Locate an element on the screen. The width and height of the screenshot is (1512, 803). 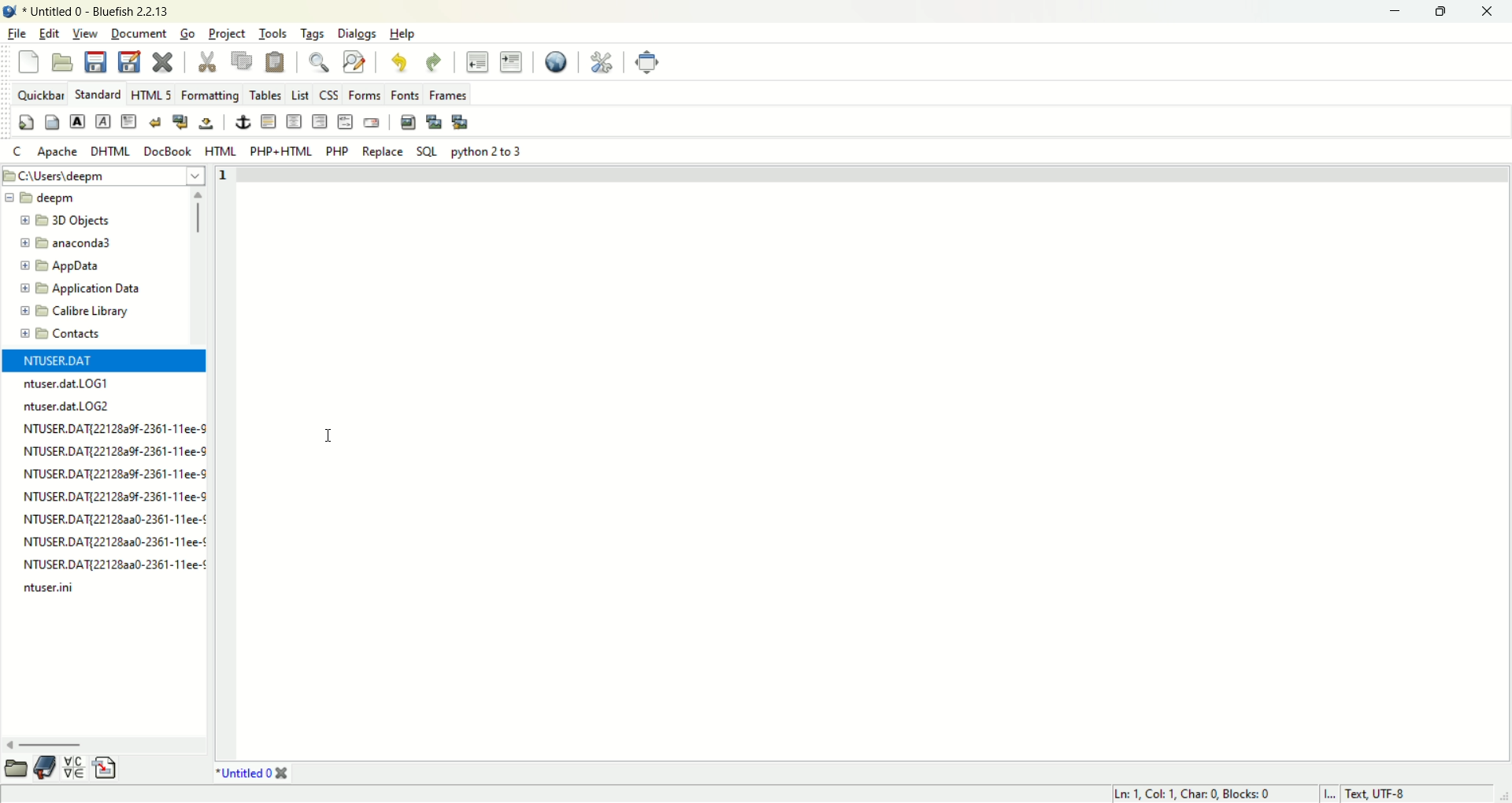
ntuser.dat.LOG1 is located at coordinates (67, 384).